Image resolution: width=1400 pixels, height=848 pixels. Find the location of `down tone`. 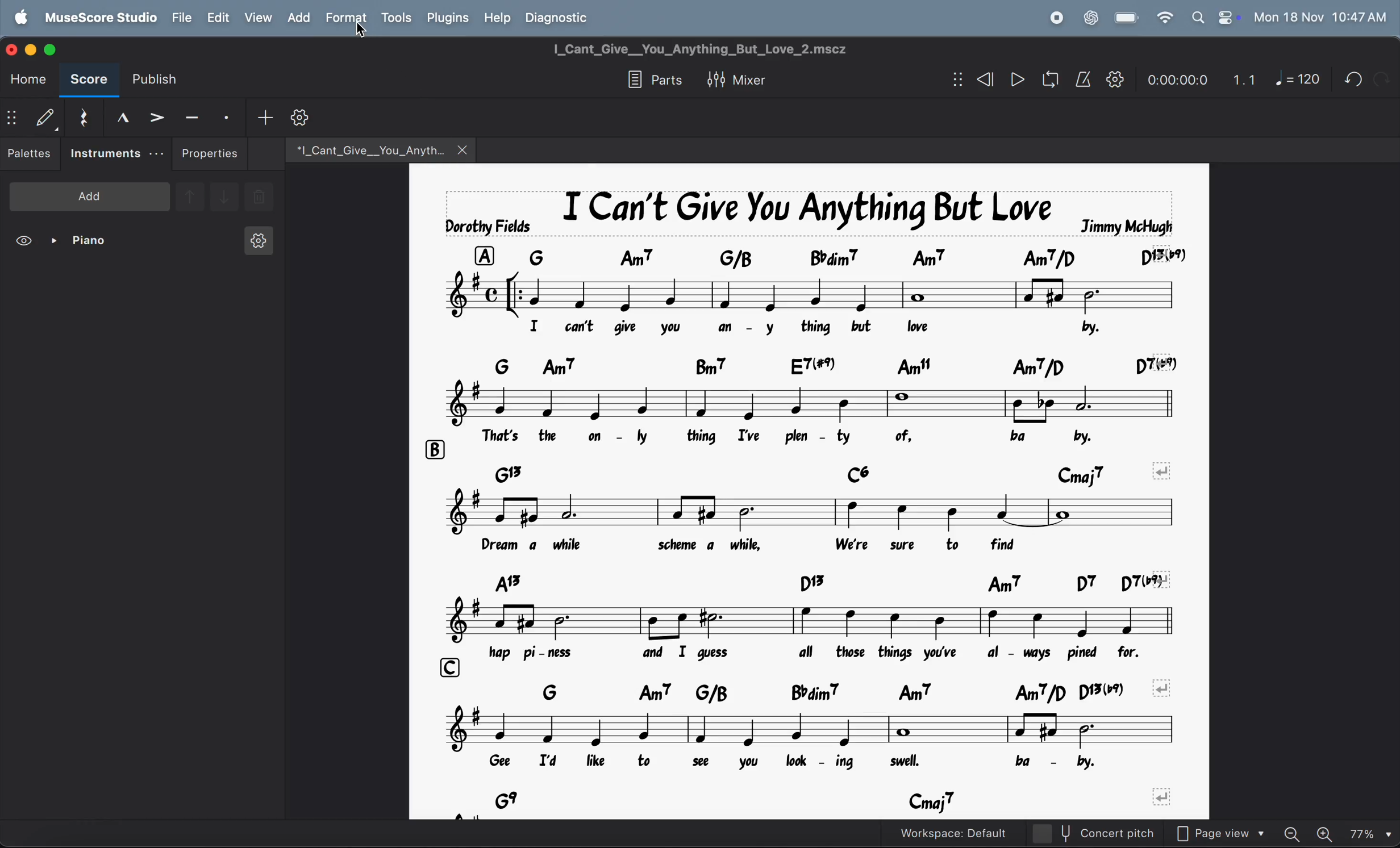

down tone is located at coordinates (225, 198).